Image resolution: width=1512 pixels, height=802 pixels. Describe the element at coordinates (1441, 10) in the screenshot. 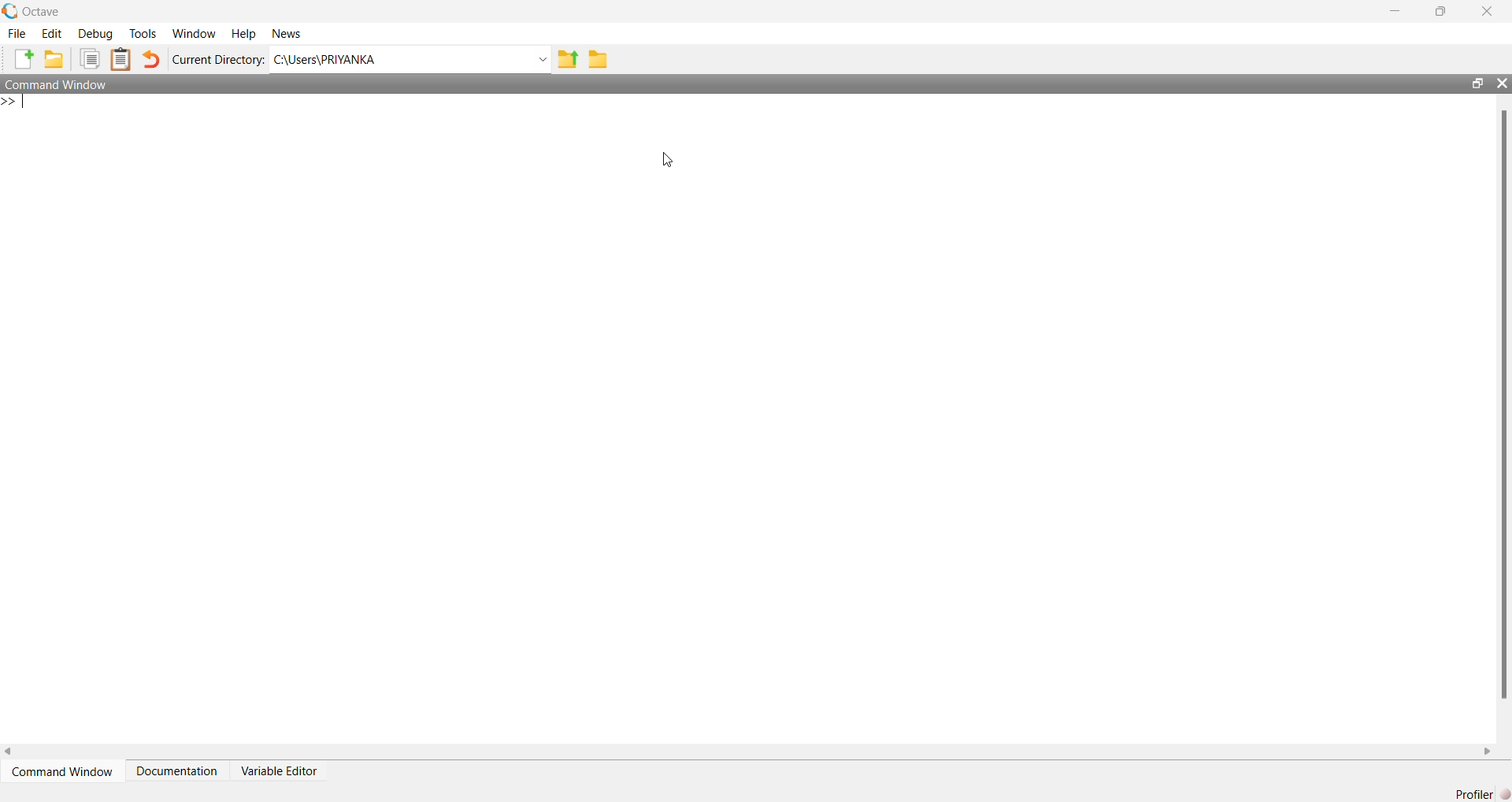

I see `maximize` at that location.